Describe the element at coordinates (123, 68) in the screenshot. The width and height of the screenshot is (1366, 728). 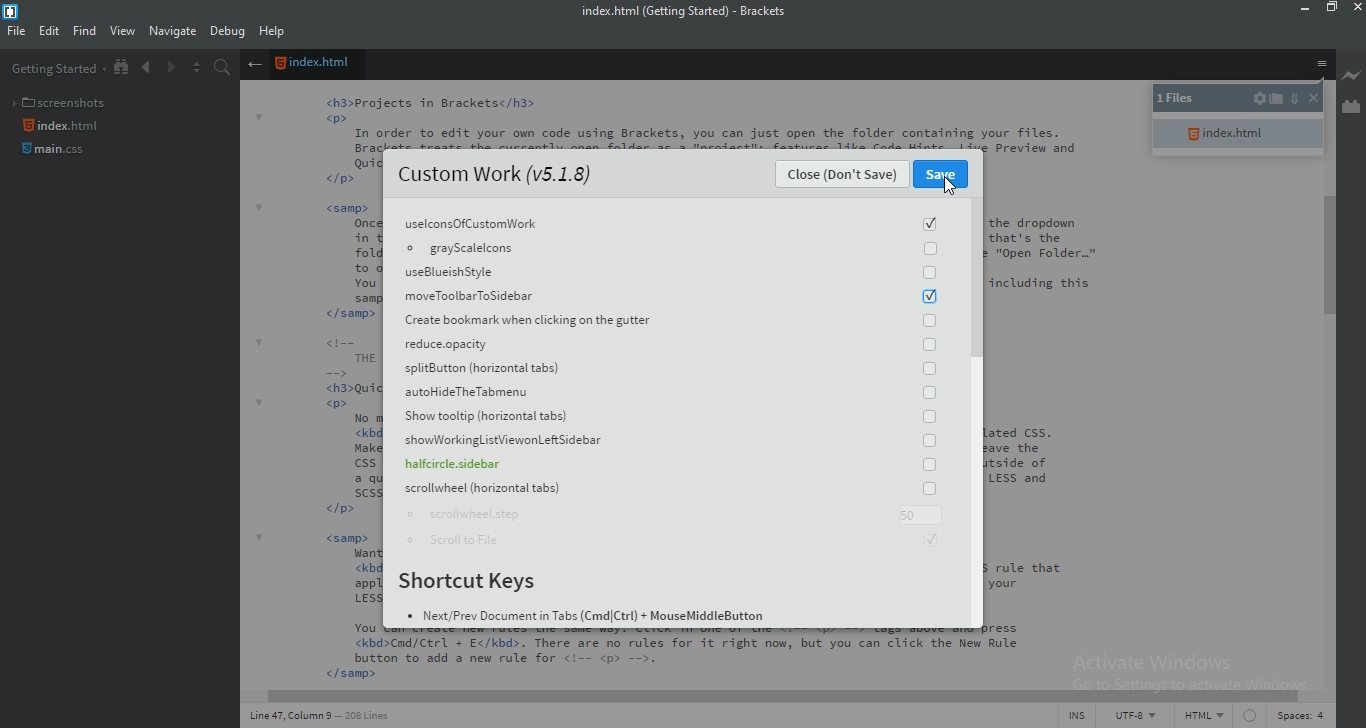
I see `Show file tree` at that location.